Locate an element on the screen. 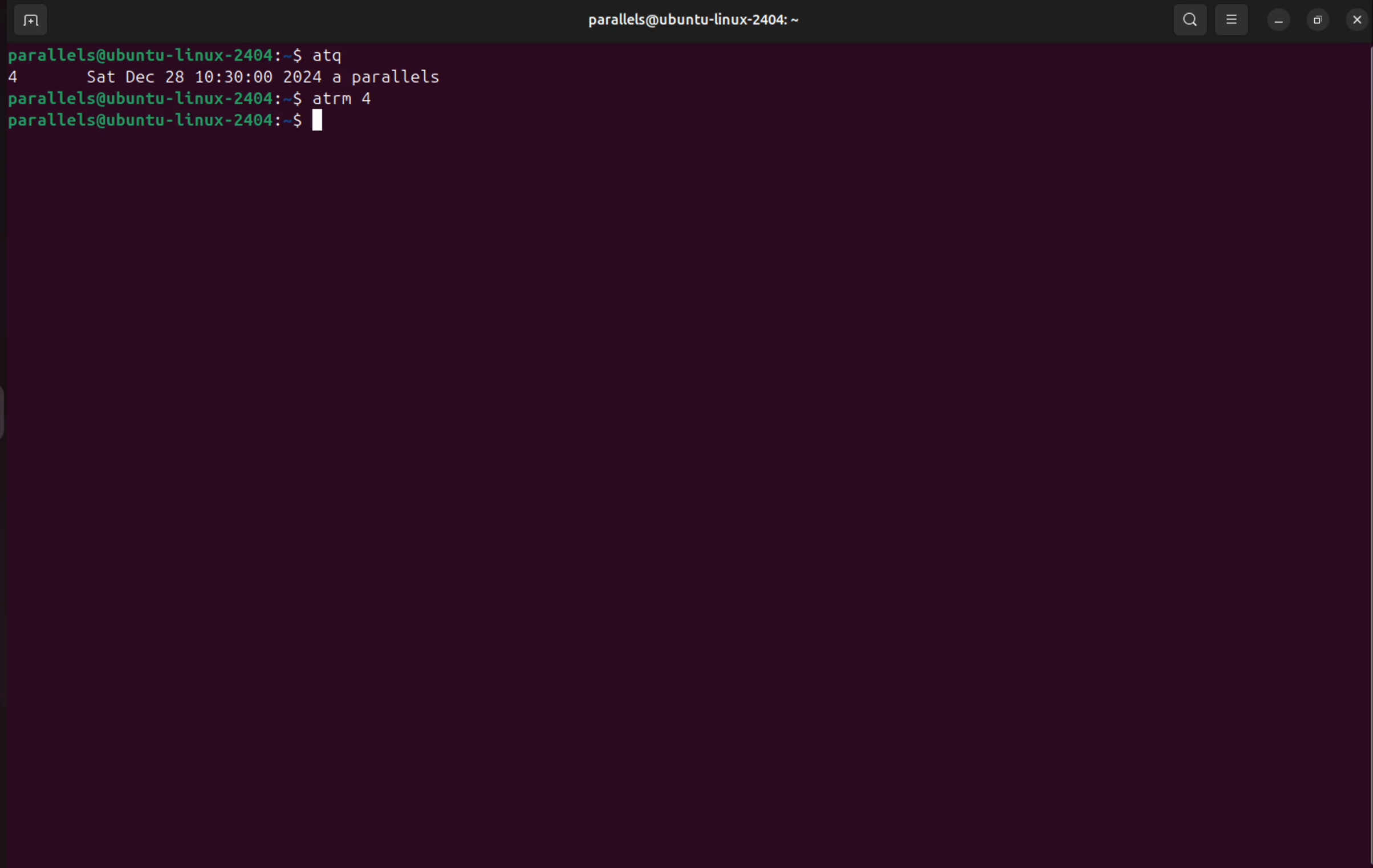 The image size is (1373, 868). minimize is located at coordinates (1278, 19).